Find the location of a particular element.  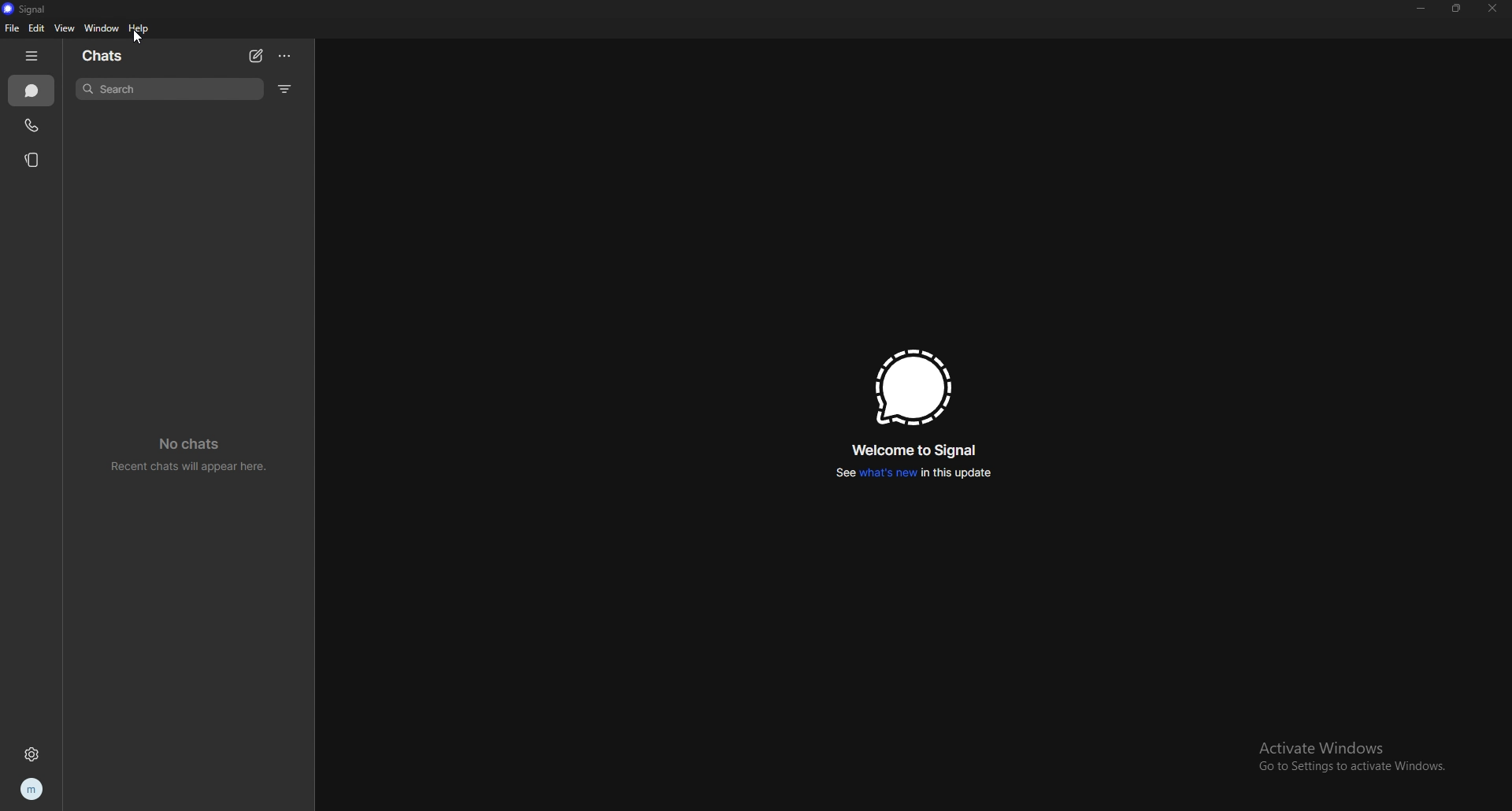

minimize is located at coordinates (1421, 9).